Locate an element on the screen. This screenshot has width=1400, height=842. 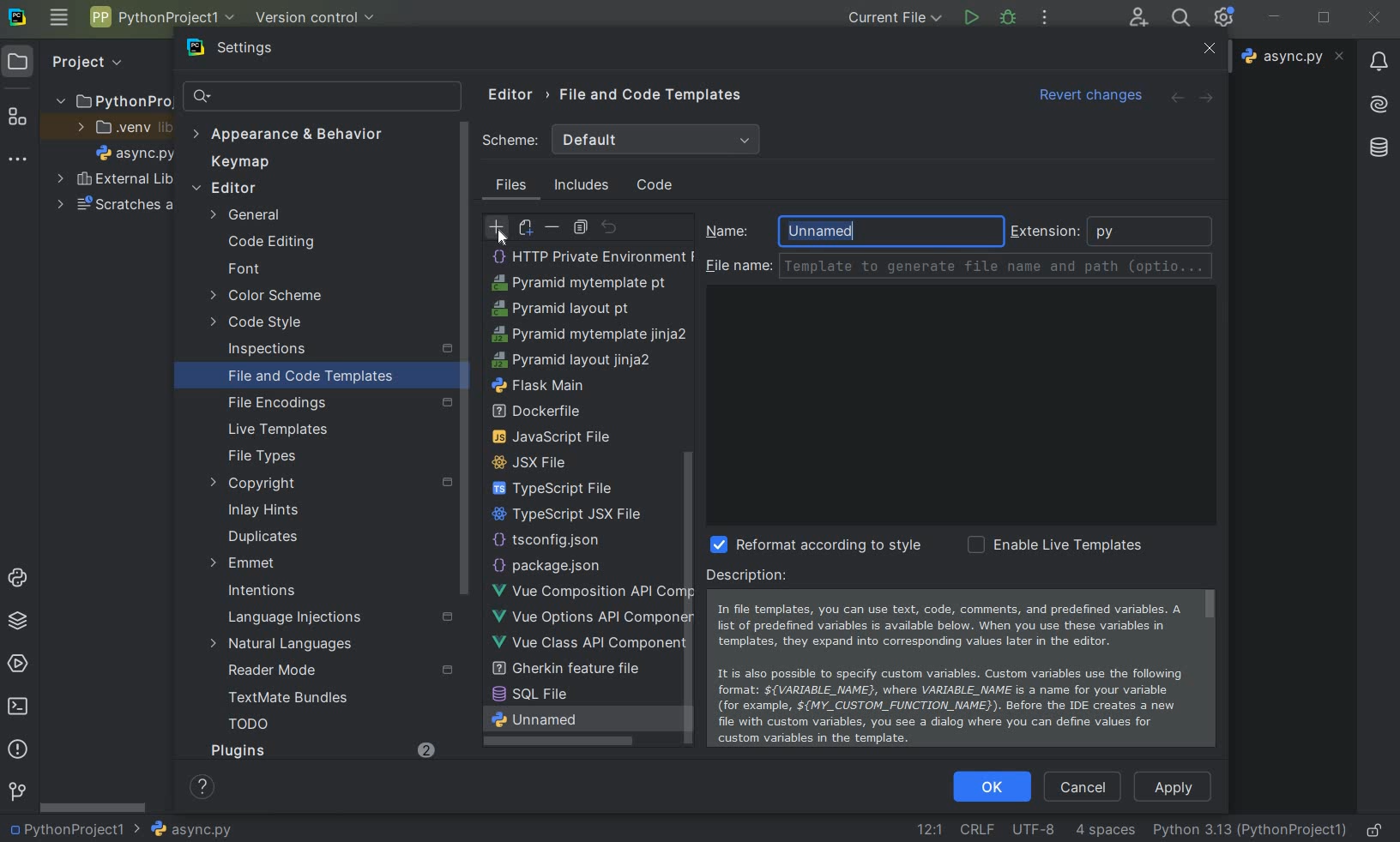
pyramid layout jinja2 is located at coordinates (569, 716).